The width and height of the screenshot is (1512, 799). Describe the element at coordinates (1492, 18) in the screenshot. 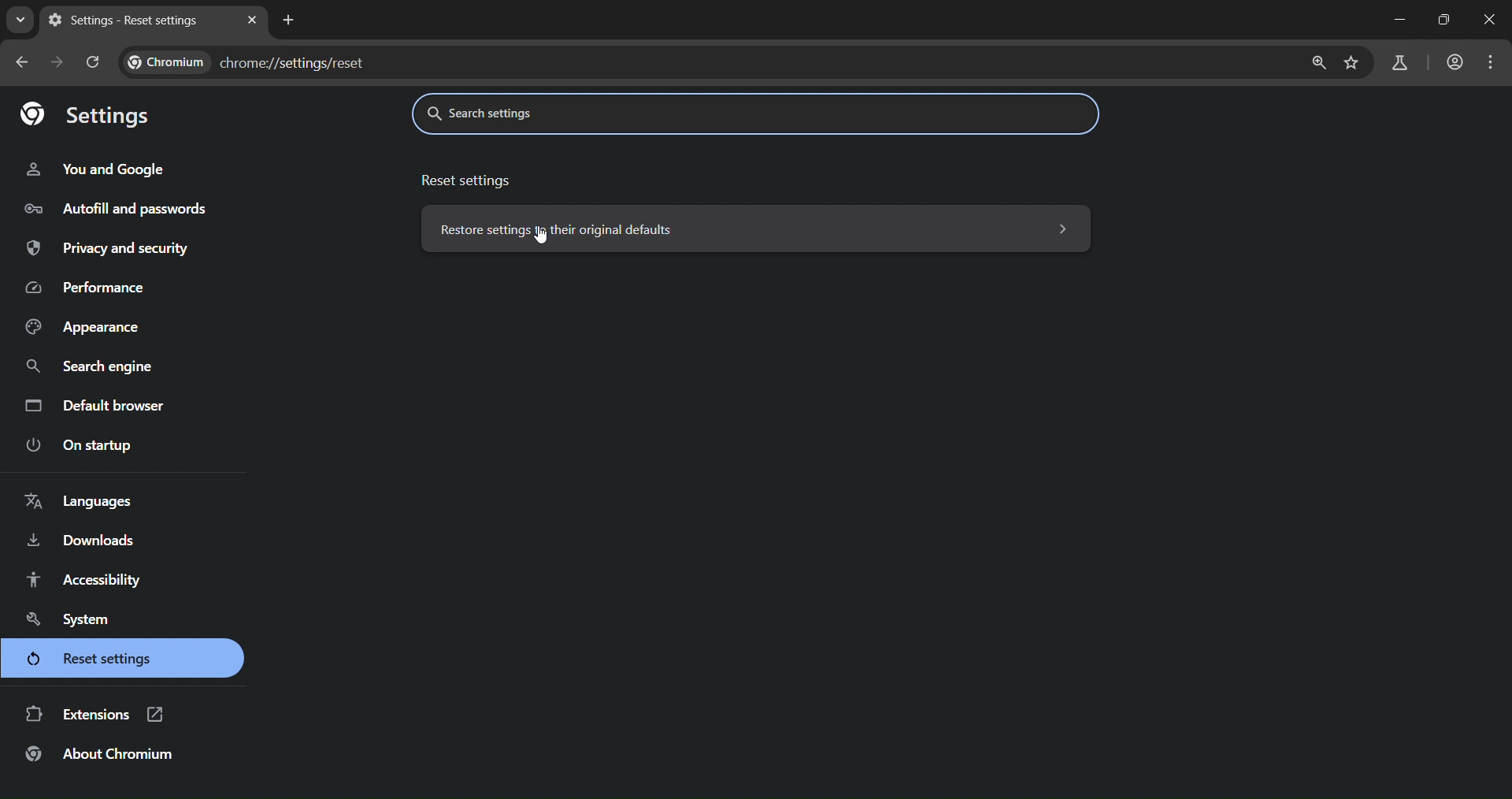

I see `Close` at that location.